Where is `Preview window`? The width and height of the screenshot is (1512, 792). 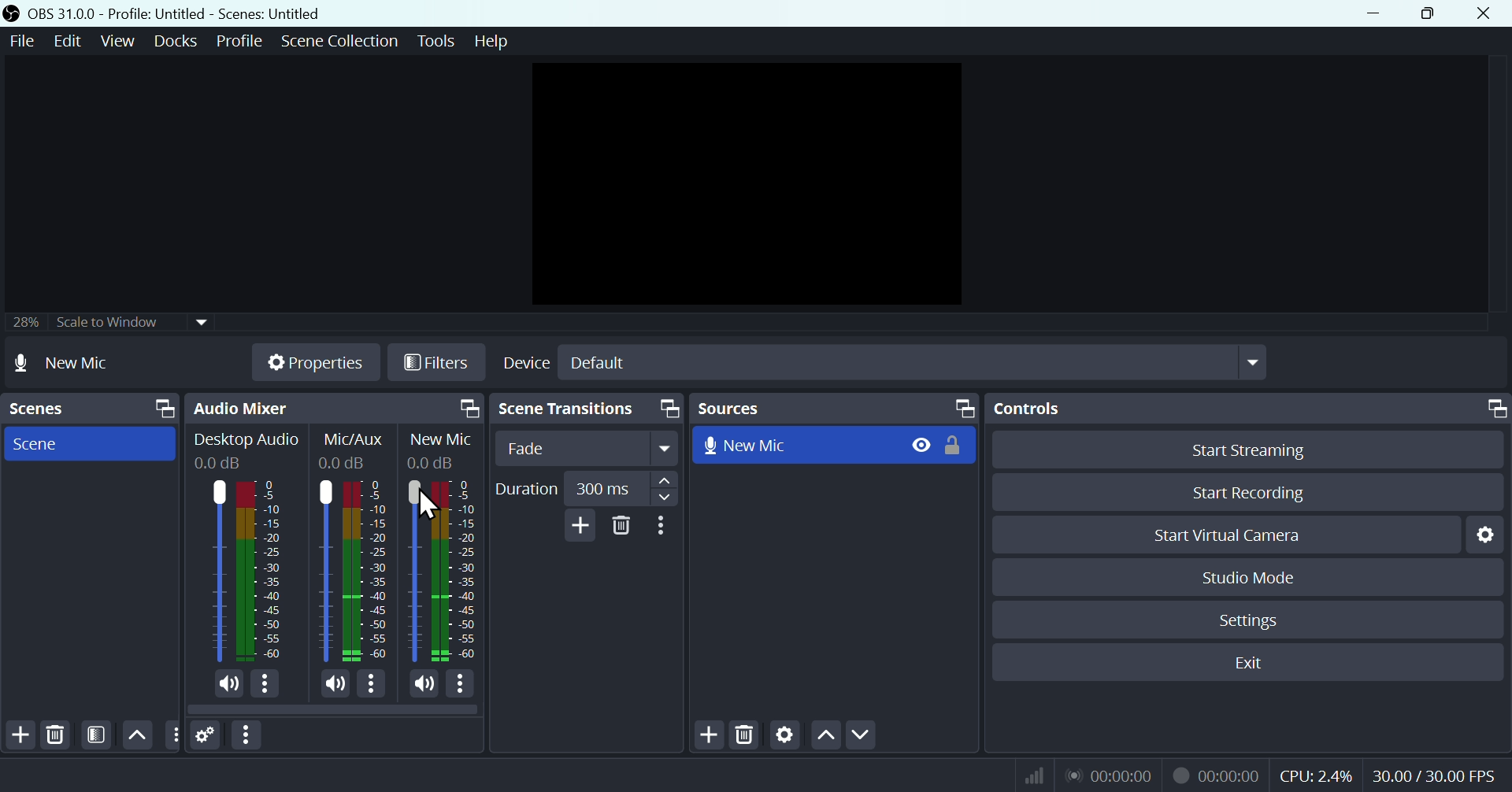 Preview window is located at coordinates (751, 184).